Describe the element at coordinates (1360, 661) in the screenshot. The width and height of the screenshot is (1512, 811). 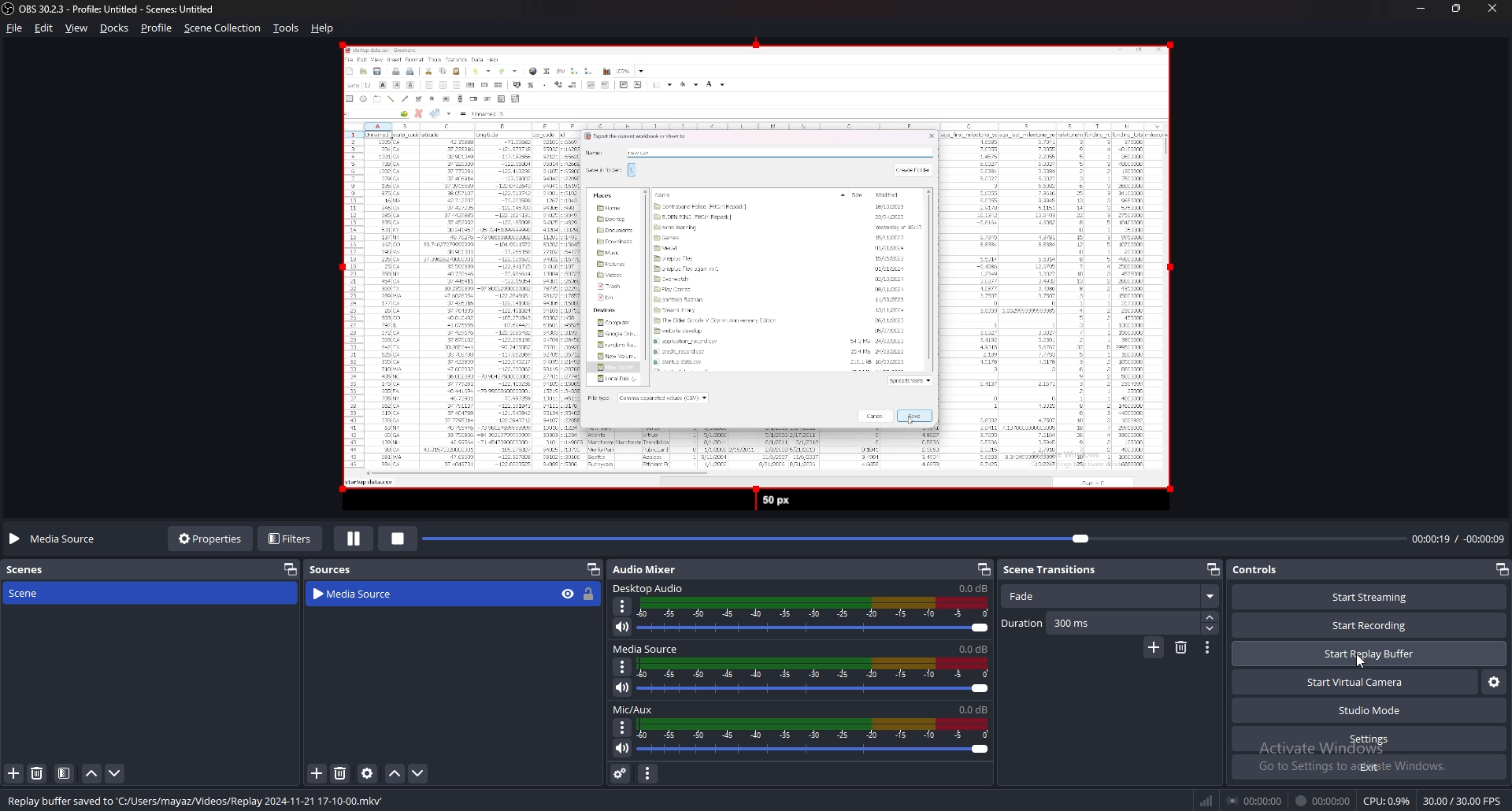
I see `cursor` at that location.